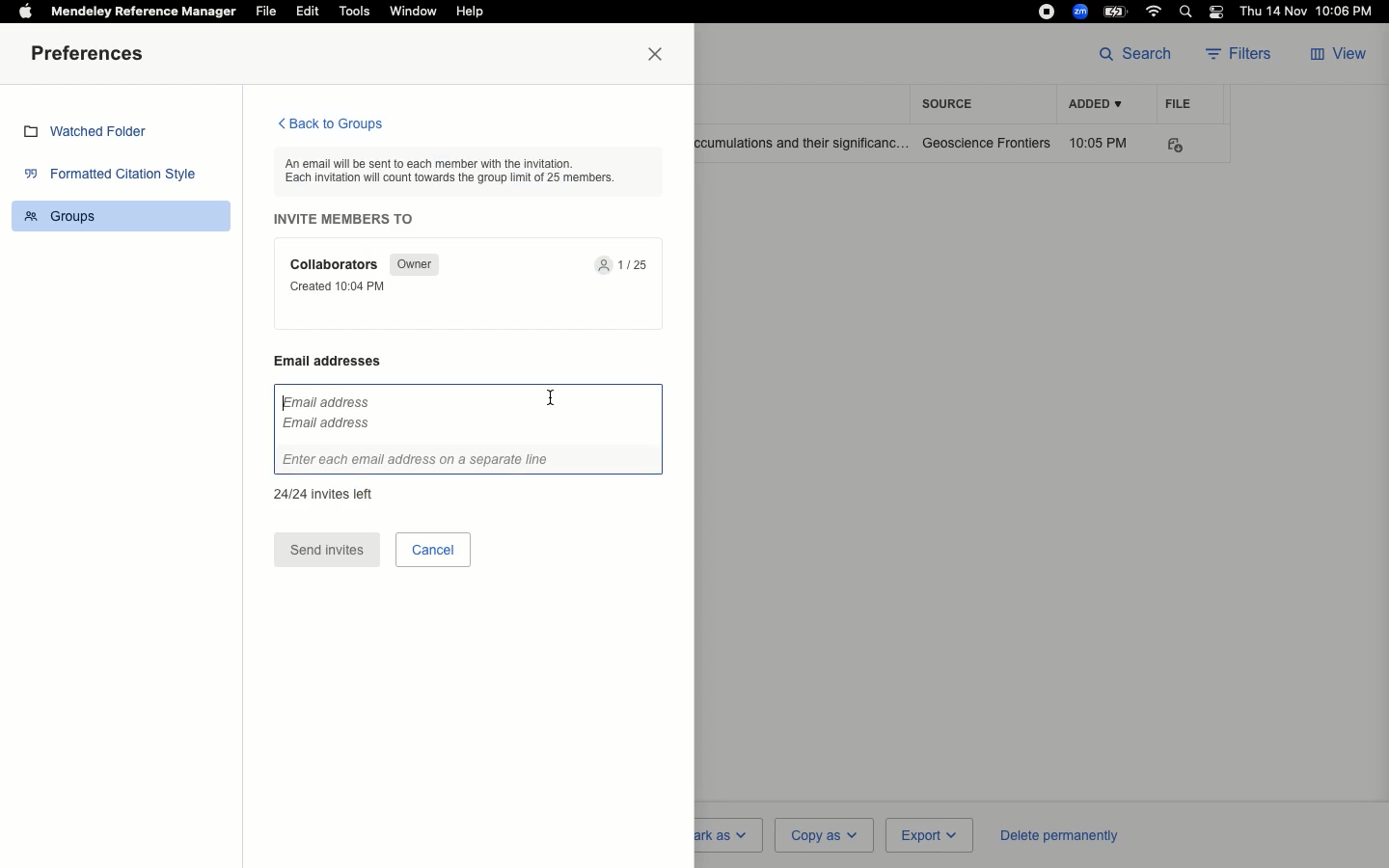 The height and width of the screenshot is (868, 1389). I want to click on Apple logo, so click(25, 10).